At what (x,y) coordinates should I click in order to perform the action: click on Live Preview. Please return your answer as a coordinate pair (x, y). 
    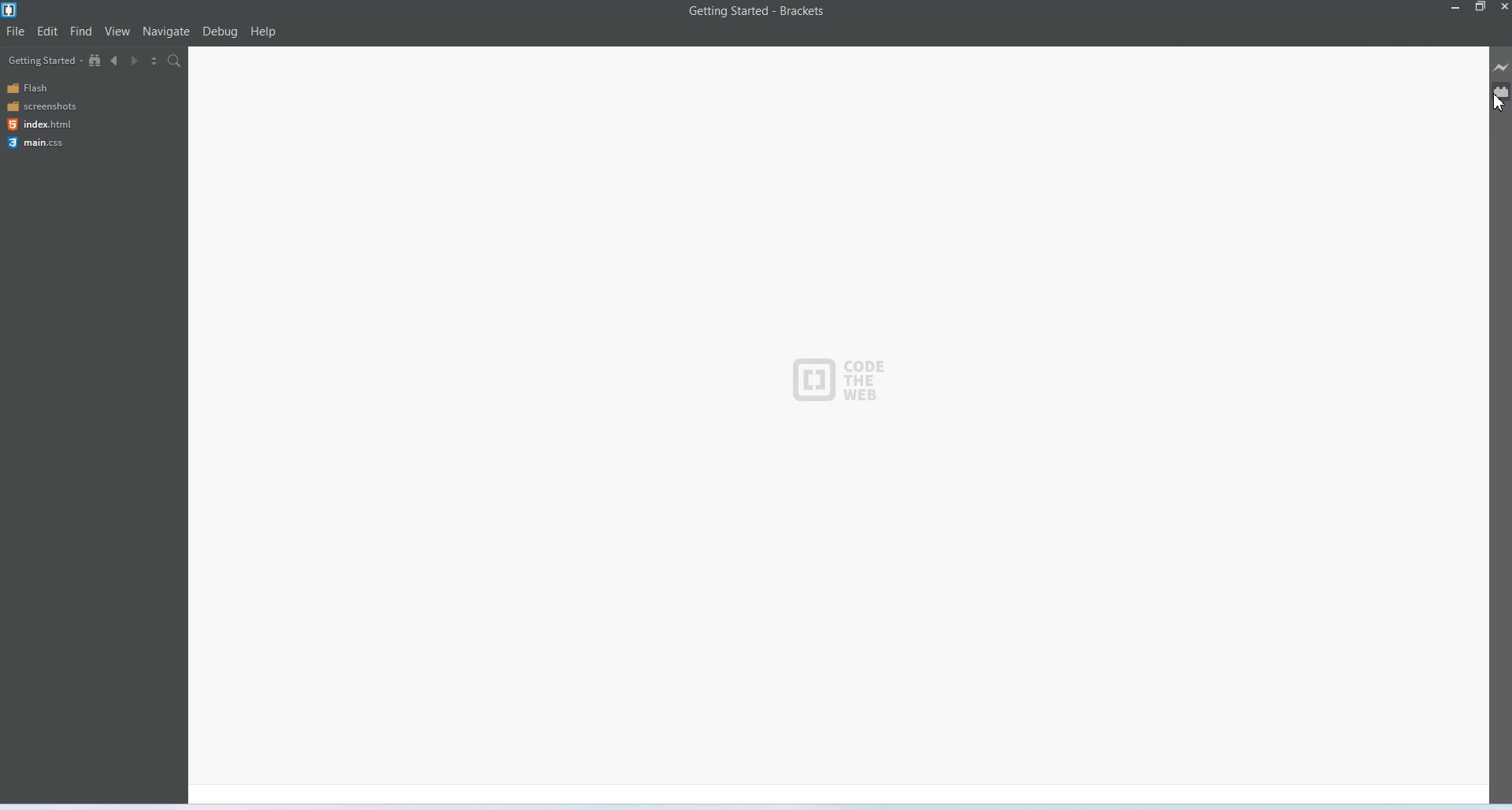
    Looking at the image, I should click on (1502, 68).